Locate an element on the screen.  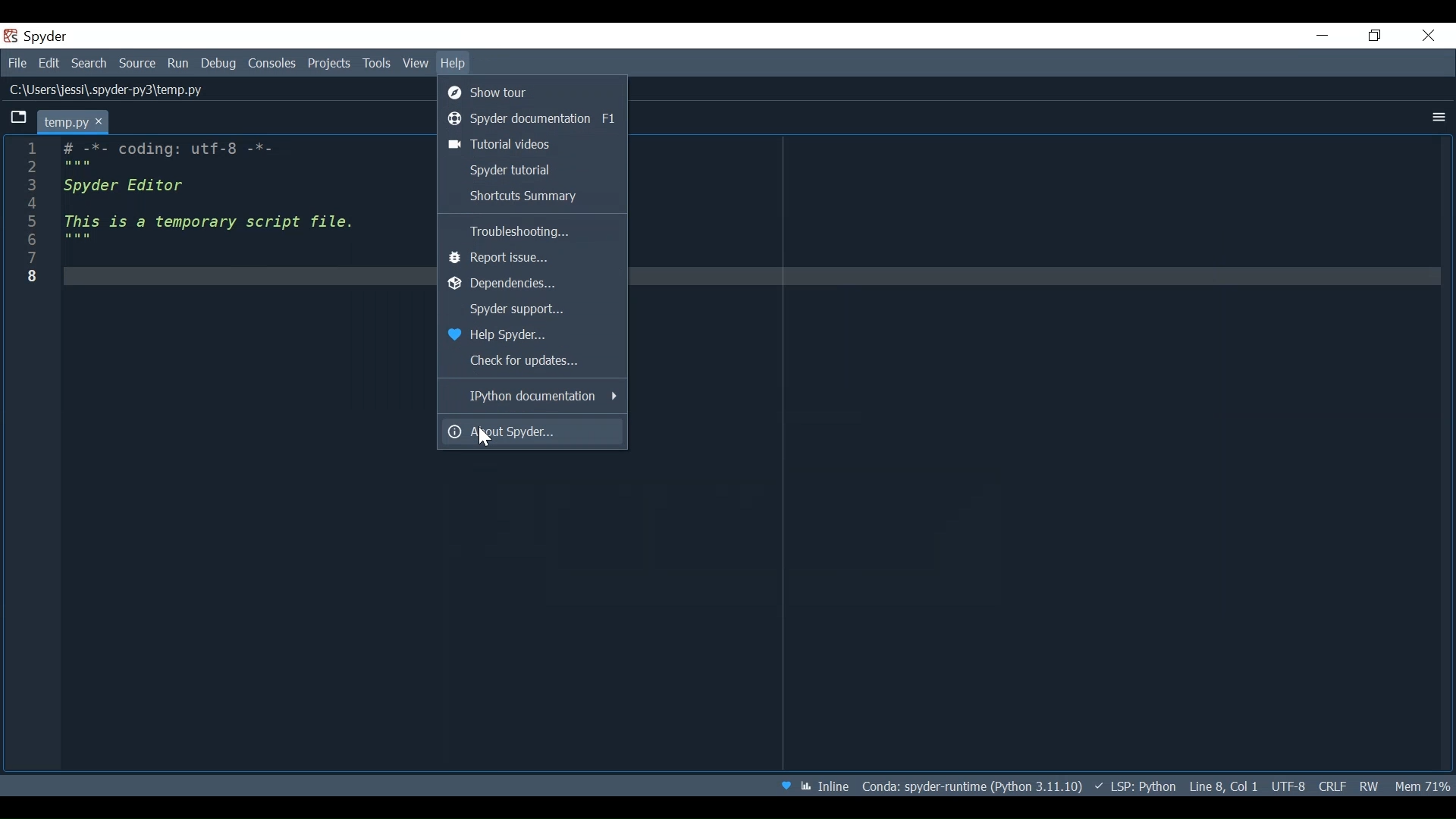
Minimize is located at coordinates (1323, 36).